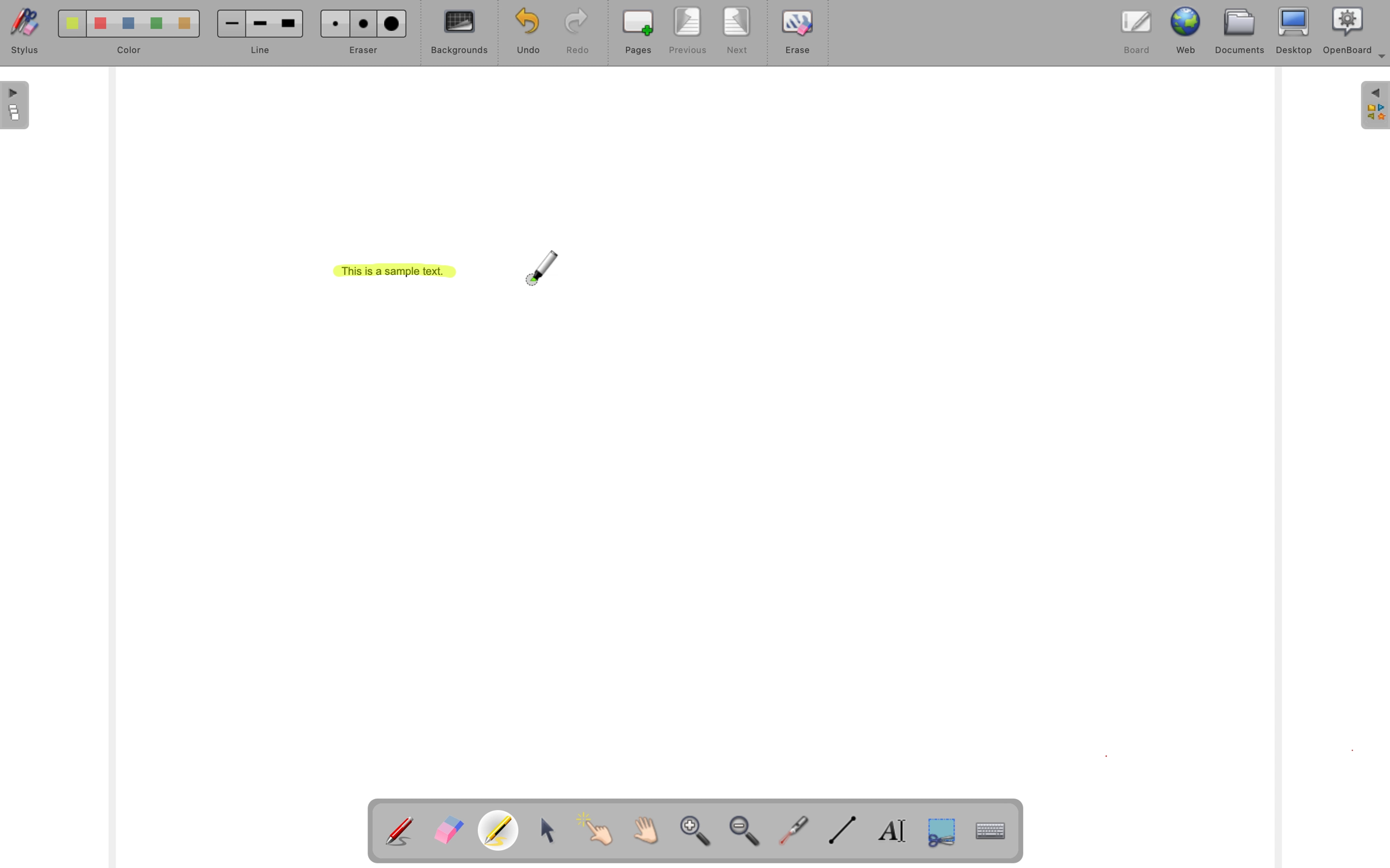 This screenshot has height=868, width=1390. What do you see at coordinates (502, 828) in the screenshot?
I see `Highlight` at bounding box center [502, 828].